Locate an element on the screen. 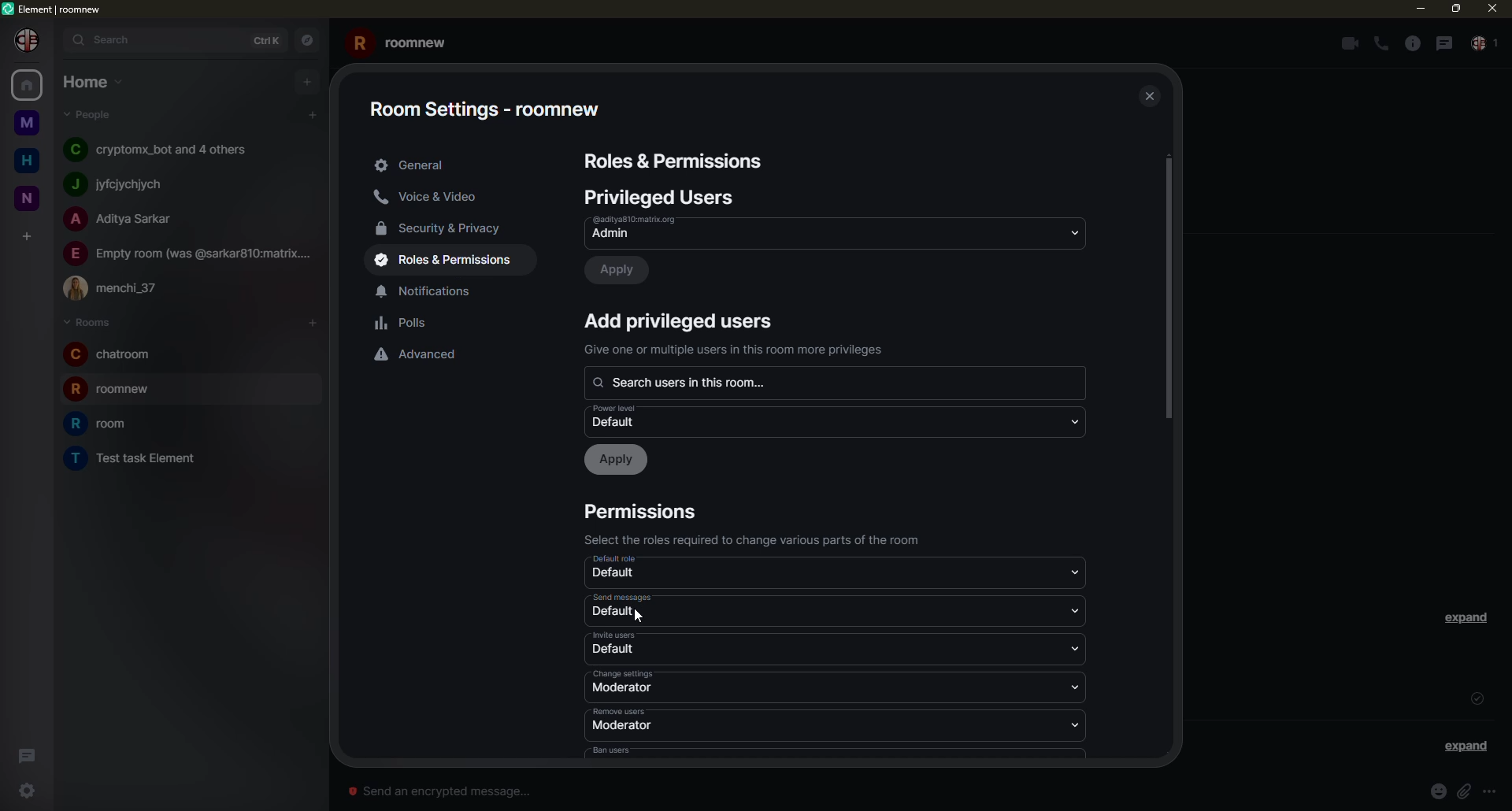  voice is located at coordinates (1381, 44).